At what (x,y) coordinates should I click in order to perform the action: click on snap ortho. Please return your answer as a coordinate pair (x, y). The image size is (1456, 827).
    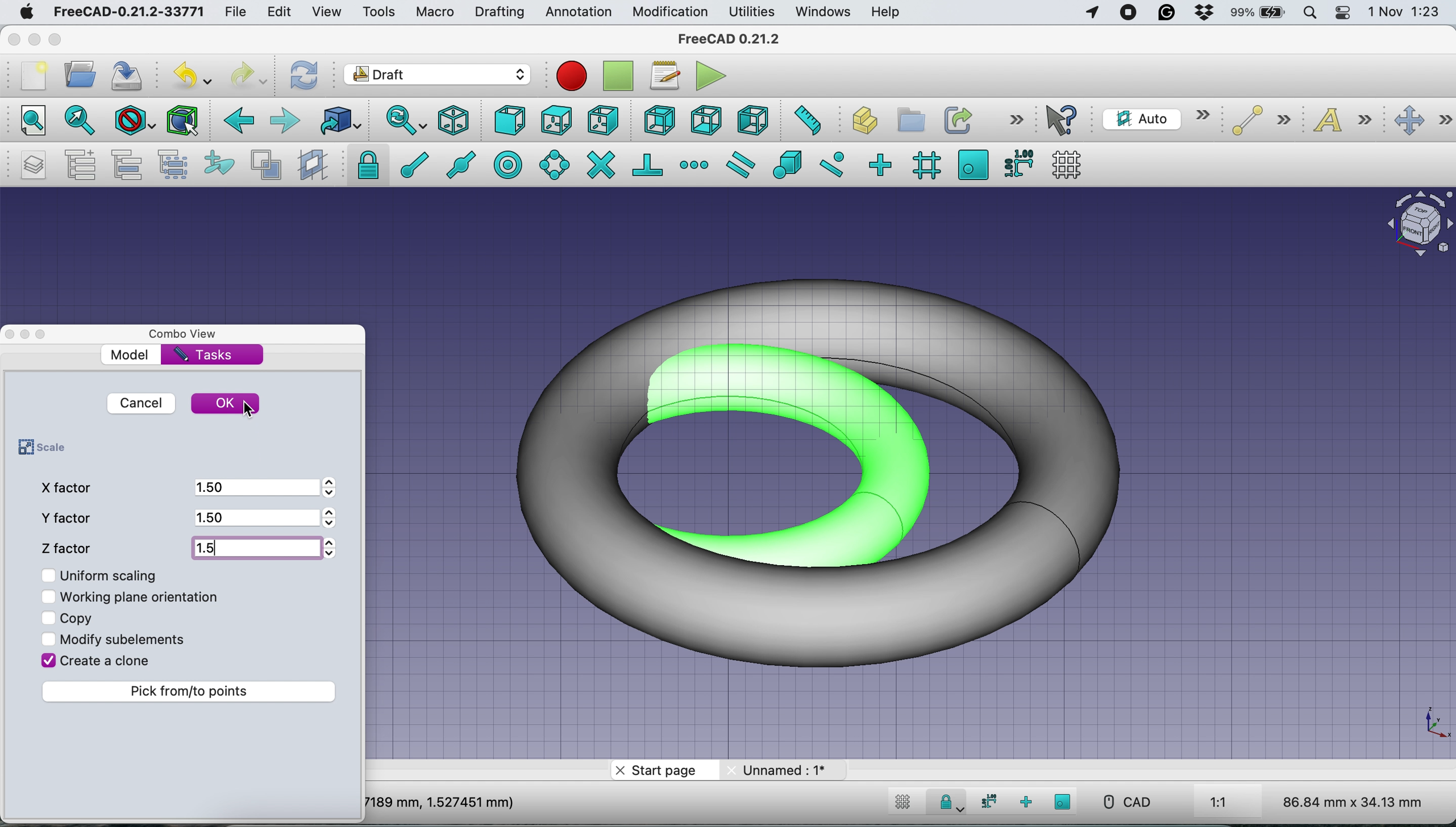
    Looking at the image, I should click on (1024, 801).